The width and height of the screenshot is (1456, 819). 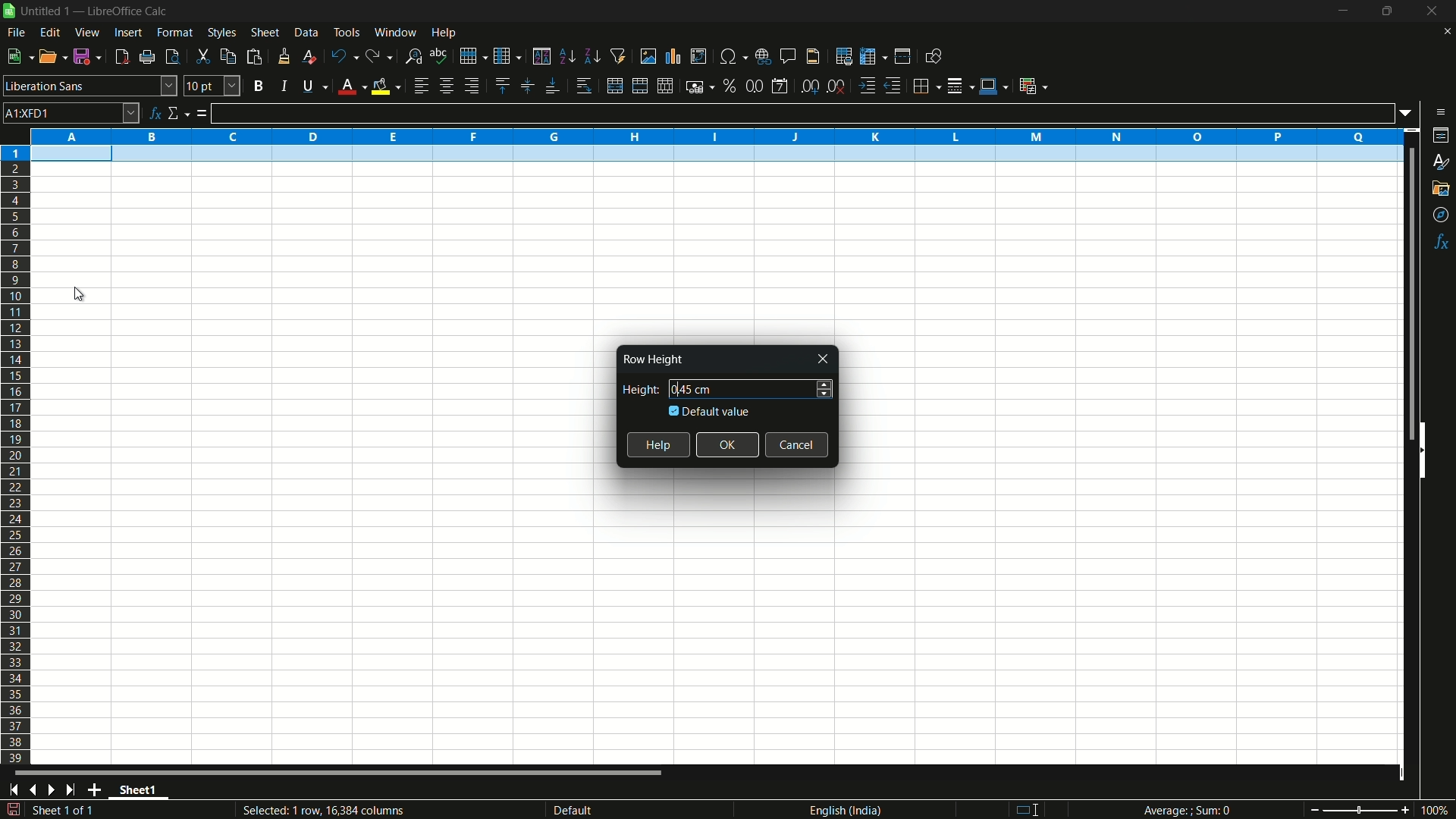 I want to click on formula input line, so click(x=802, y=113).